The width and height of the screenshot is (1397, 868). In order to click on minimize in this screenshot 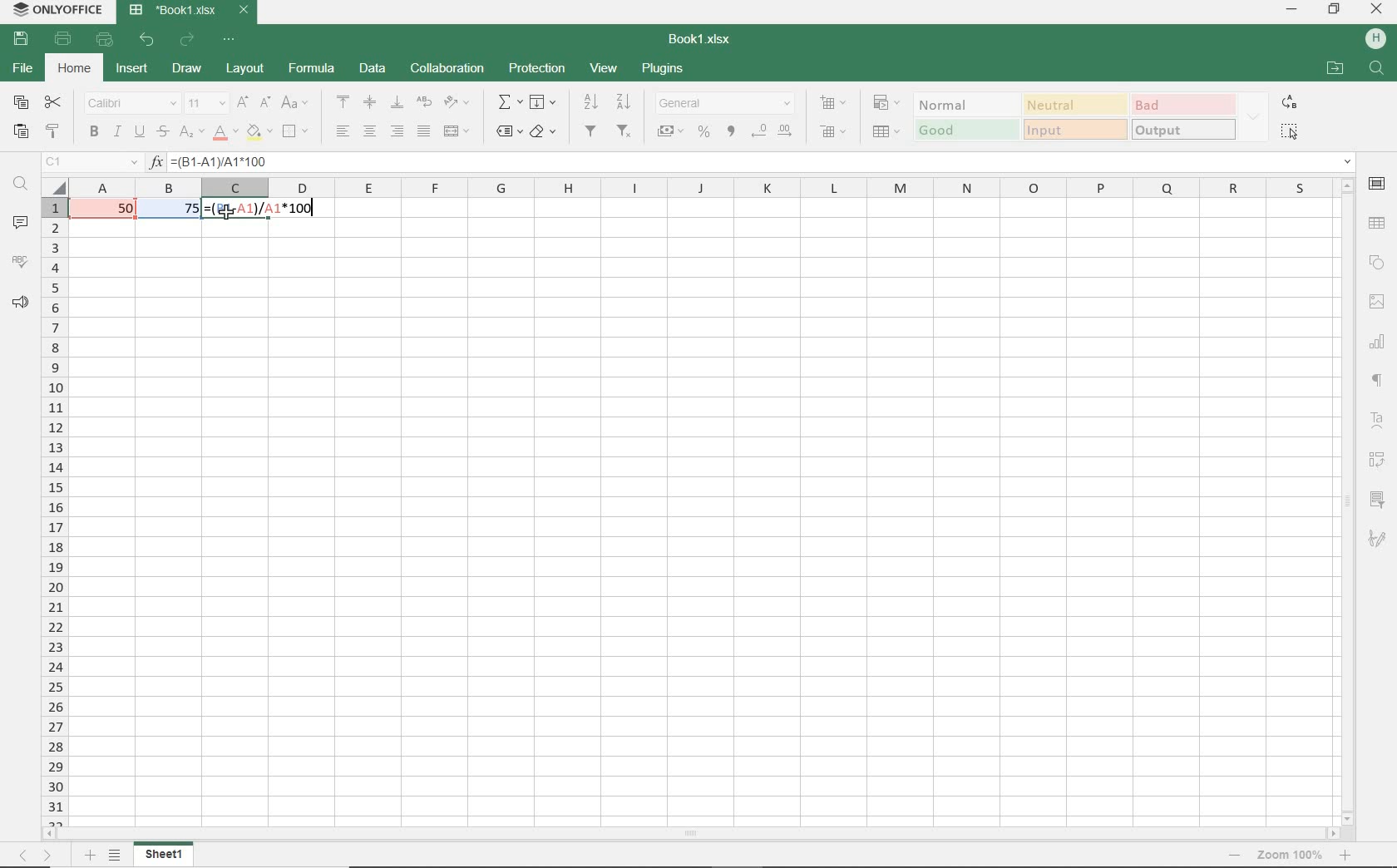, I will do `click(1293, 11)`.